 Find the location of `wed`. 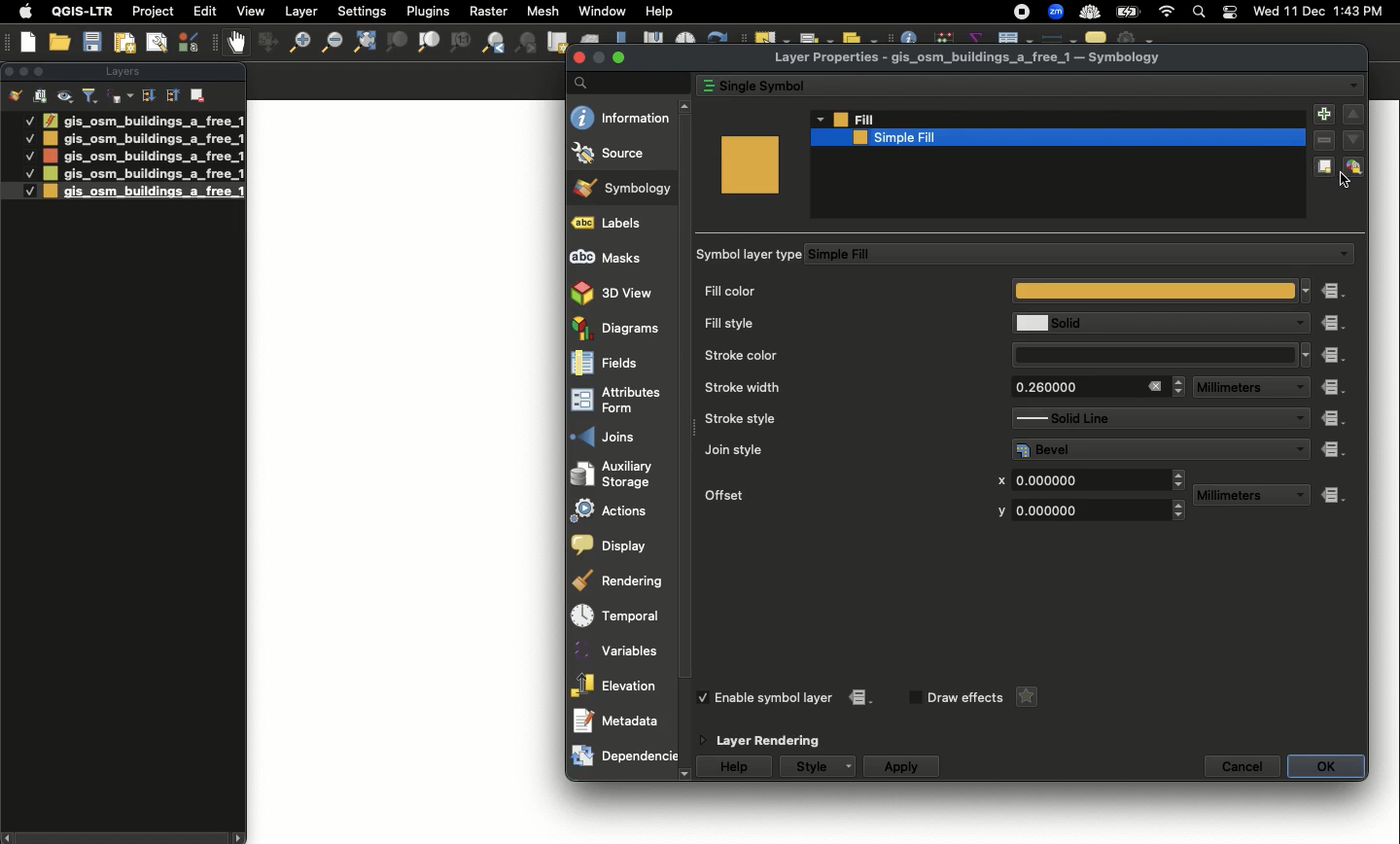

wed is located at coordinates (1264, 13).